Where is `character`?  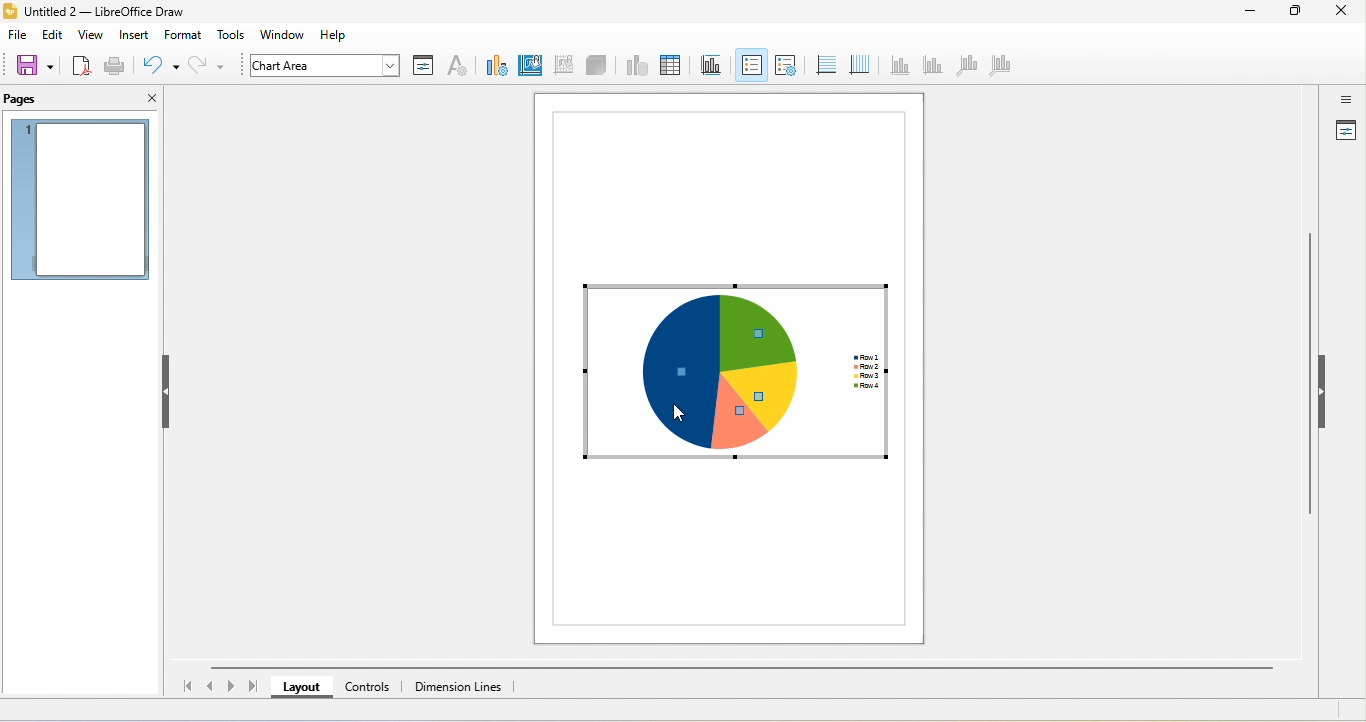 character is located at coordinates (457, 67).